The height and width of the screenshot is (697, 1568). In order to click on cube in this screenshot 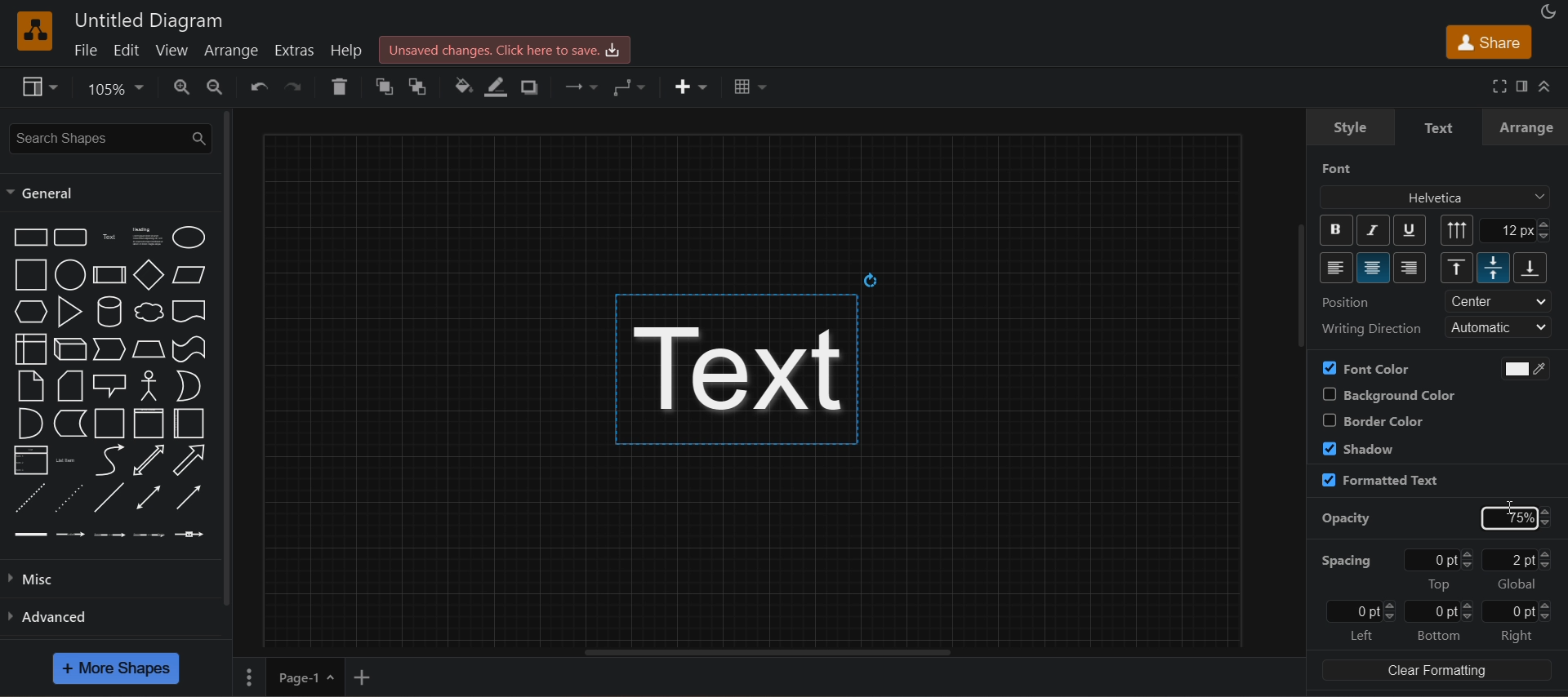, I will do `click(72, 349)`.